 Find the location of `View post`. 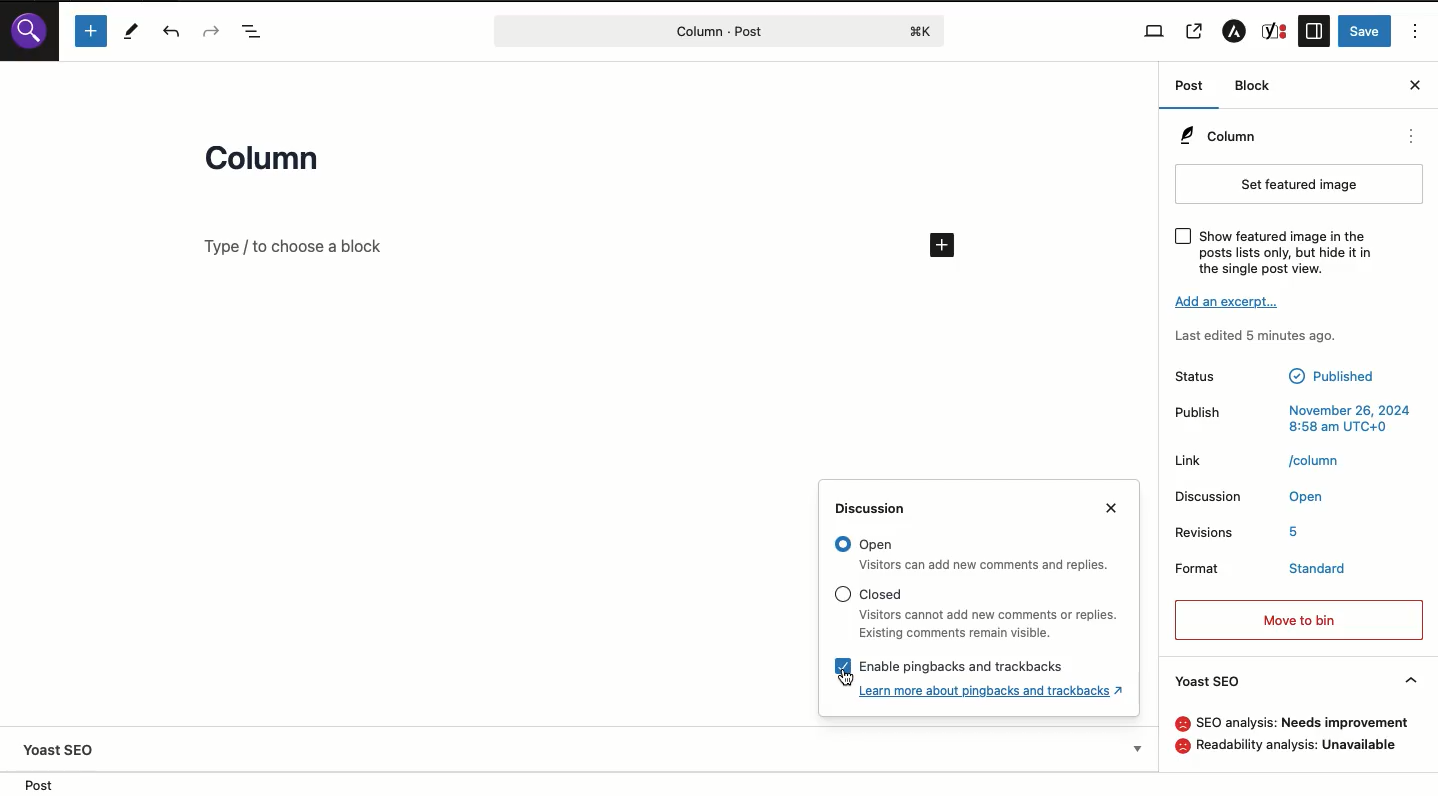

View post is located at coordinates (1195, 31).